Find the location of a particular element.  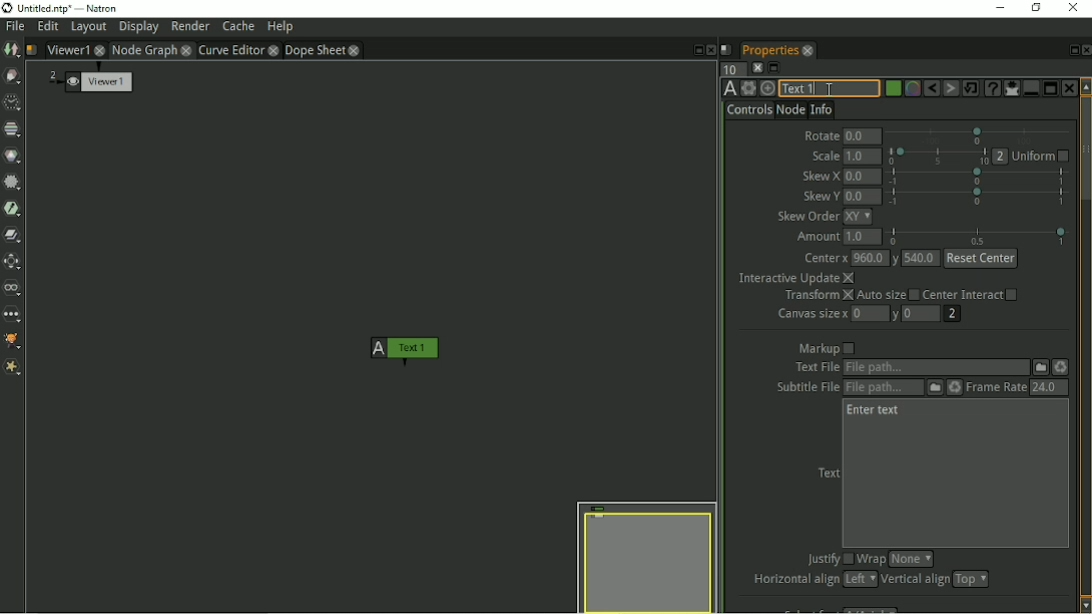

Edit is located at coordinates (48, 27).